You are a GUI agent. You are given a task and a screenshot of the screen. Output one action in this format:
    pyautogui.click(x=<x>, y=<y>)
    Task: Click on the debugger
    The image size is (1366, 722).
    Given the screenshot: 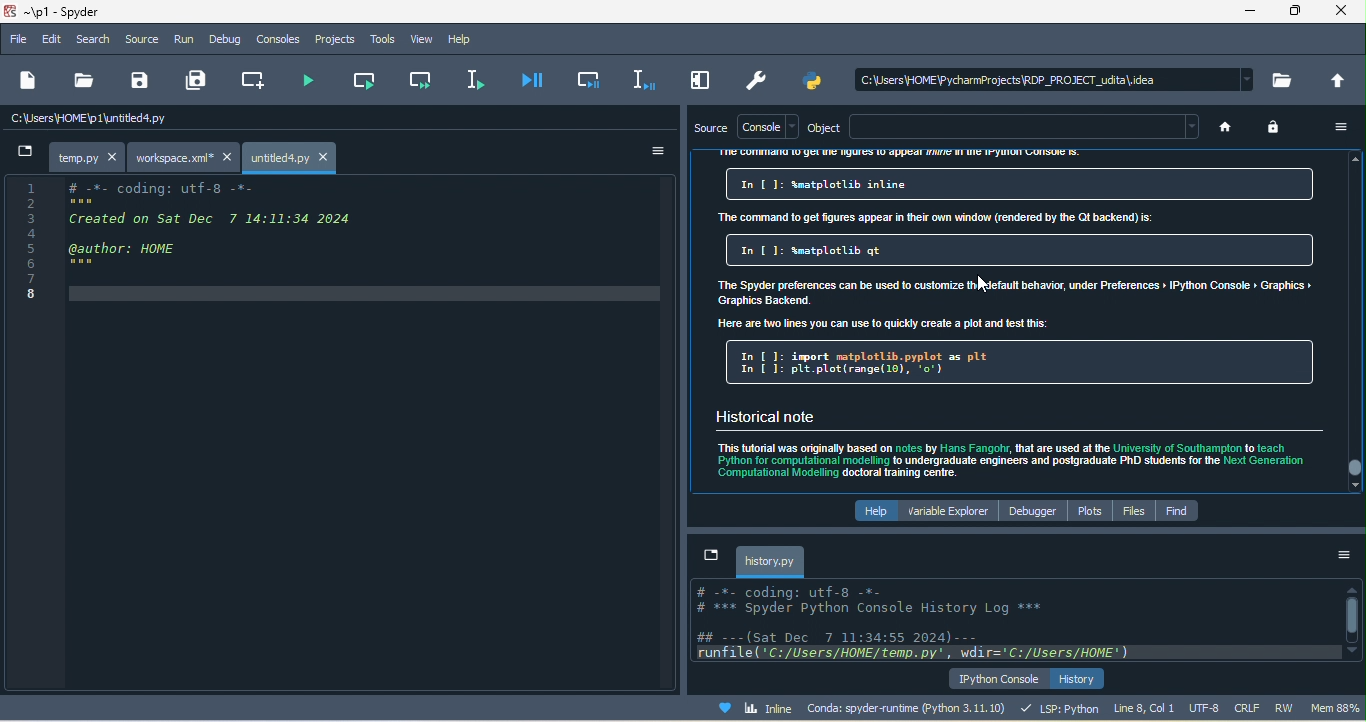 What is the action you would take?
    pyautogui.click(x=1035, y=513)
    